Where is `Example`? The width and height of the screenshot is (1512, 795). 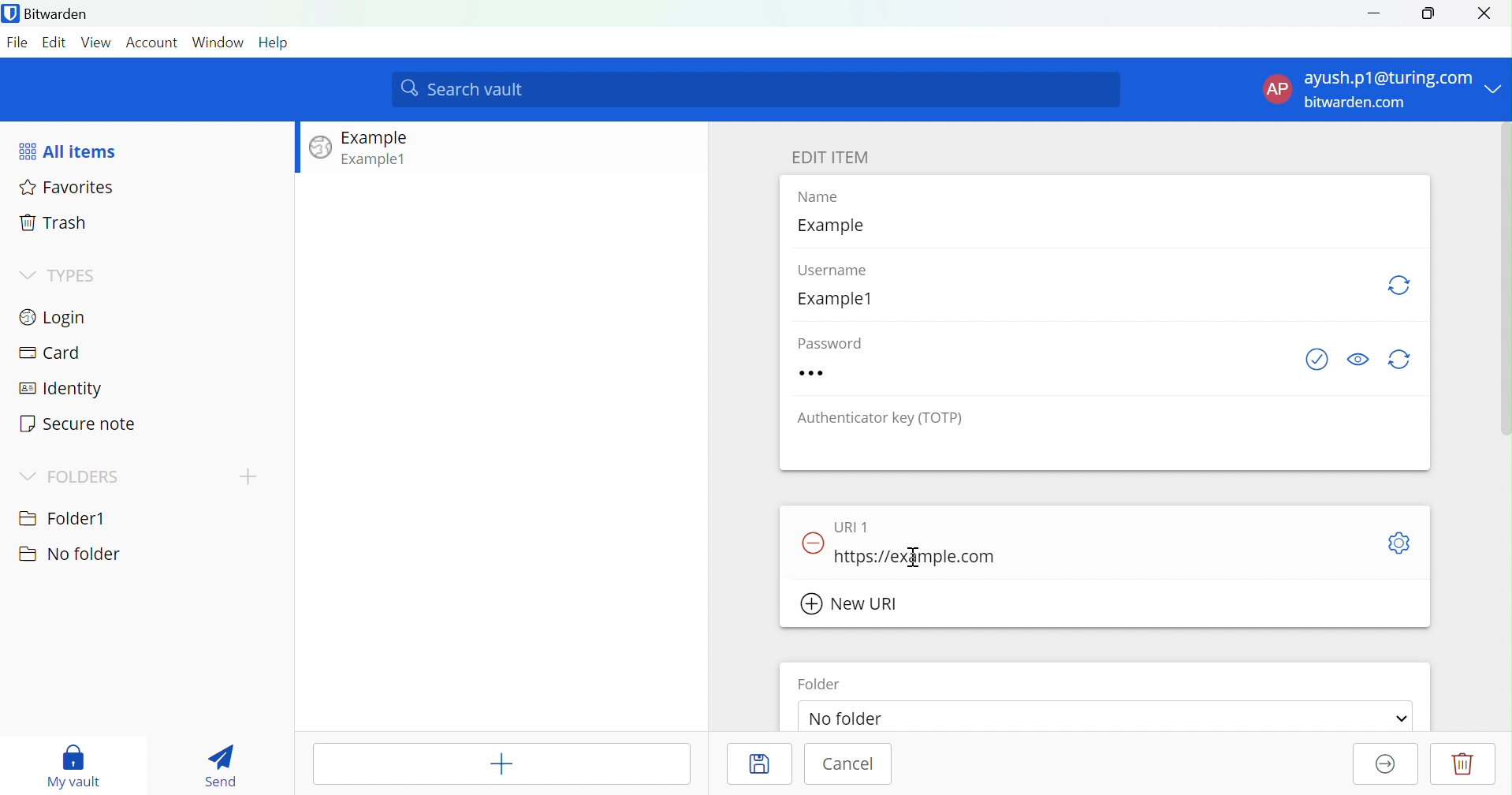 Example is located at coordinates (836, 226).